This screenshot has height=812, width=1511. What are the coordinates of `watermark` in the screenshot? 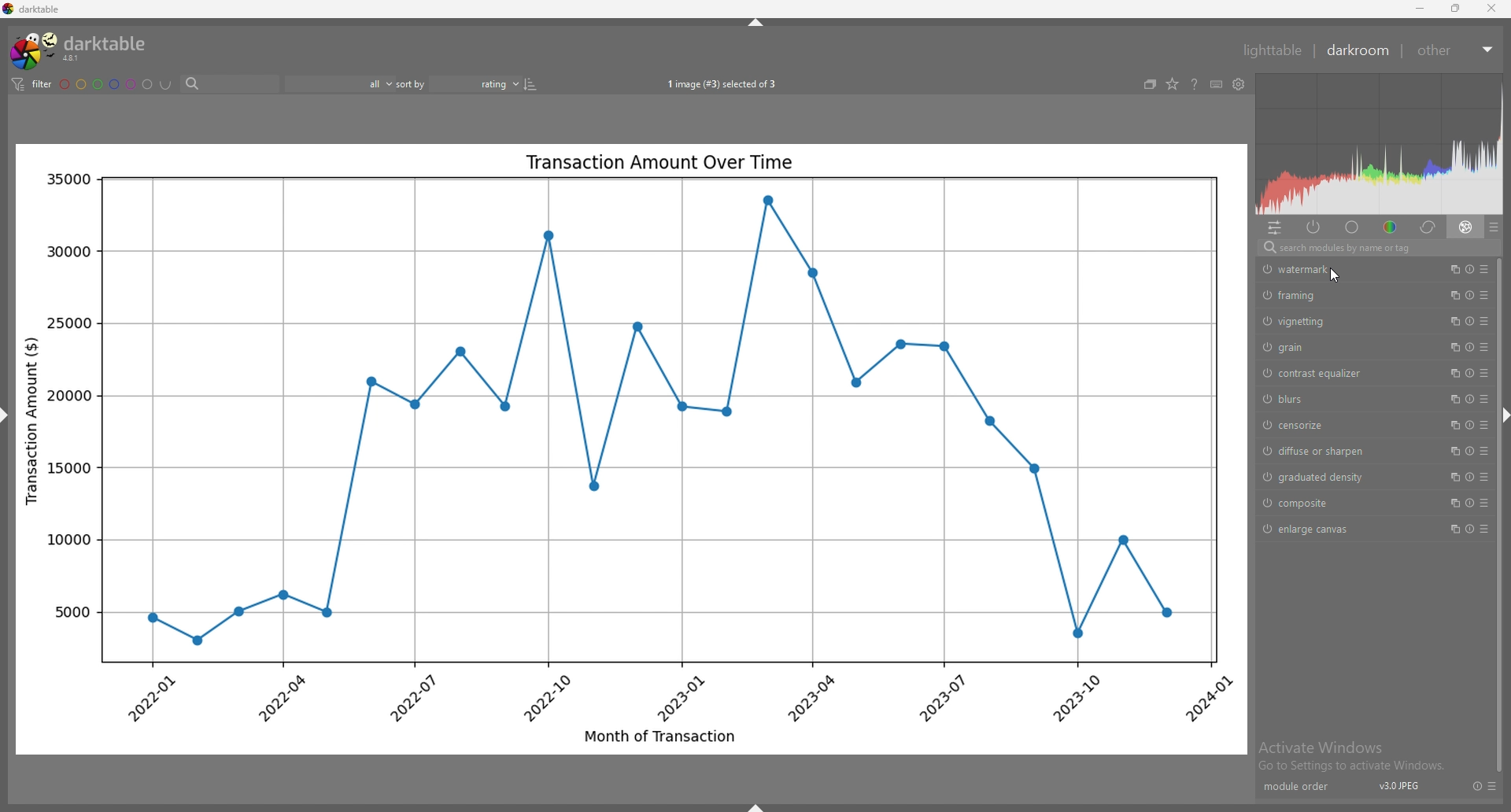 It's located at (1348, 269).